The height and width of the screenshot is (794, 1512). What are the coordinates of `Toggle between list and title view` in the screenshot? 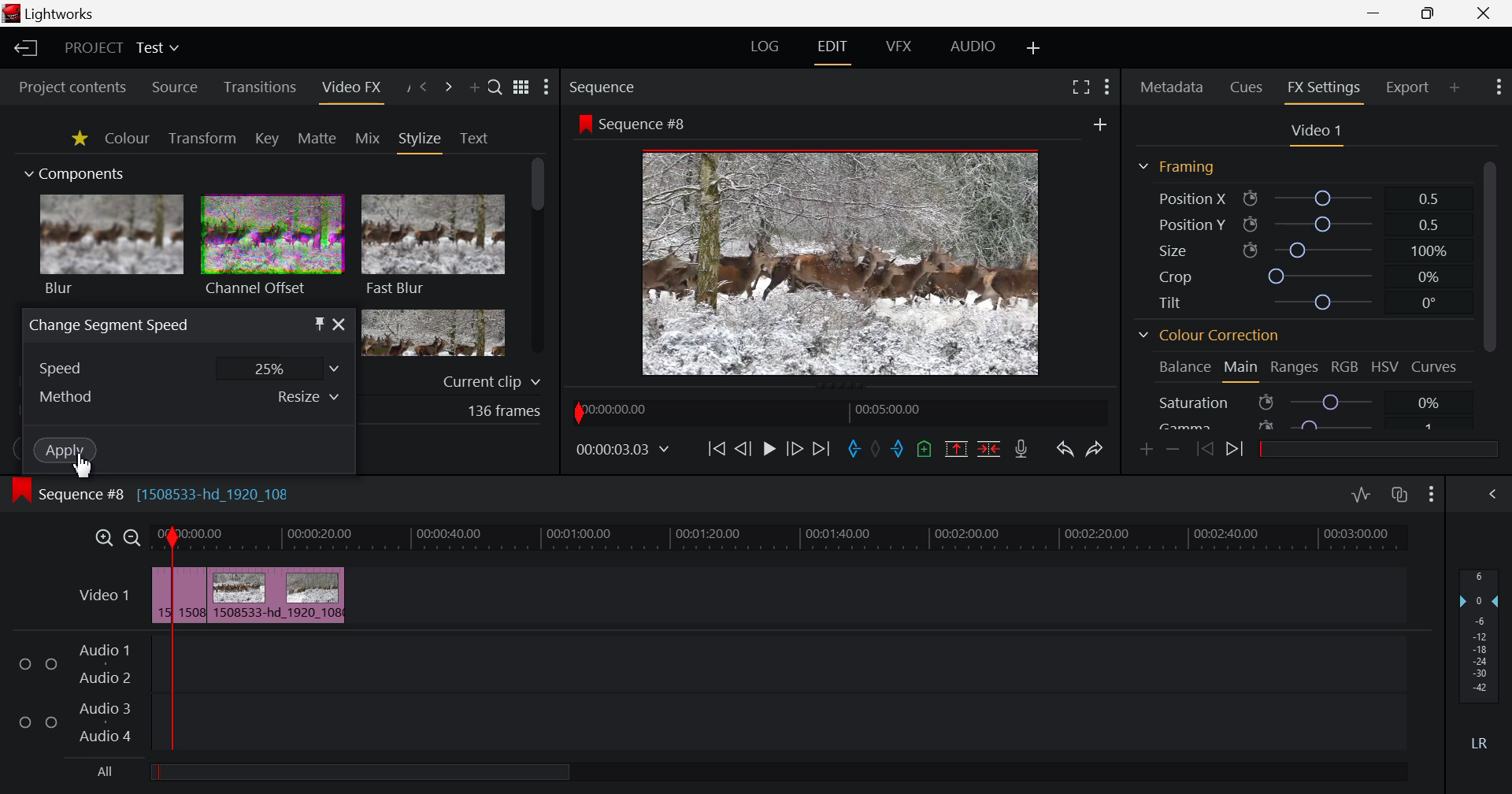 It's located at (521, 87).